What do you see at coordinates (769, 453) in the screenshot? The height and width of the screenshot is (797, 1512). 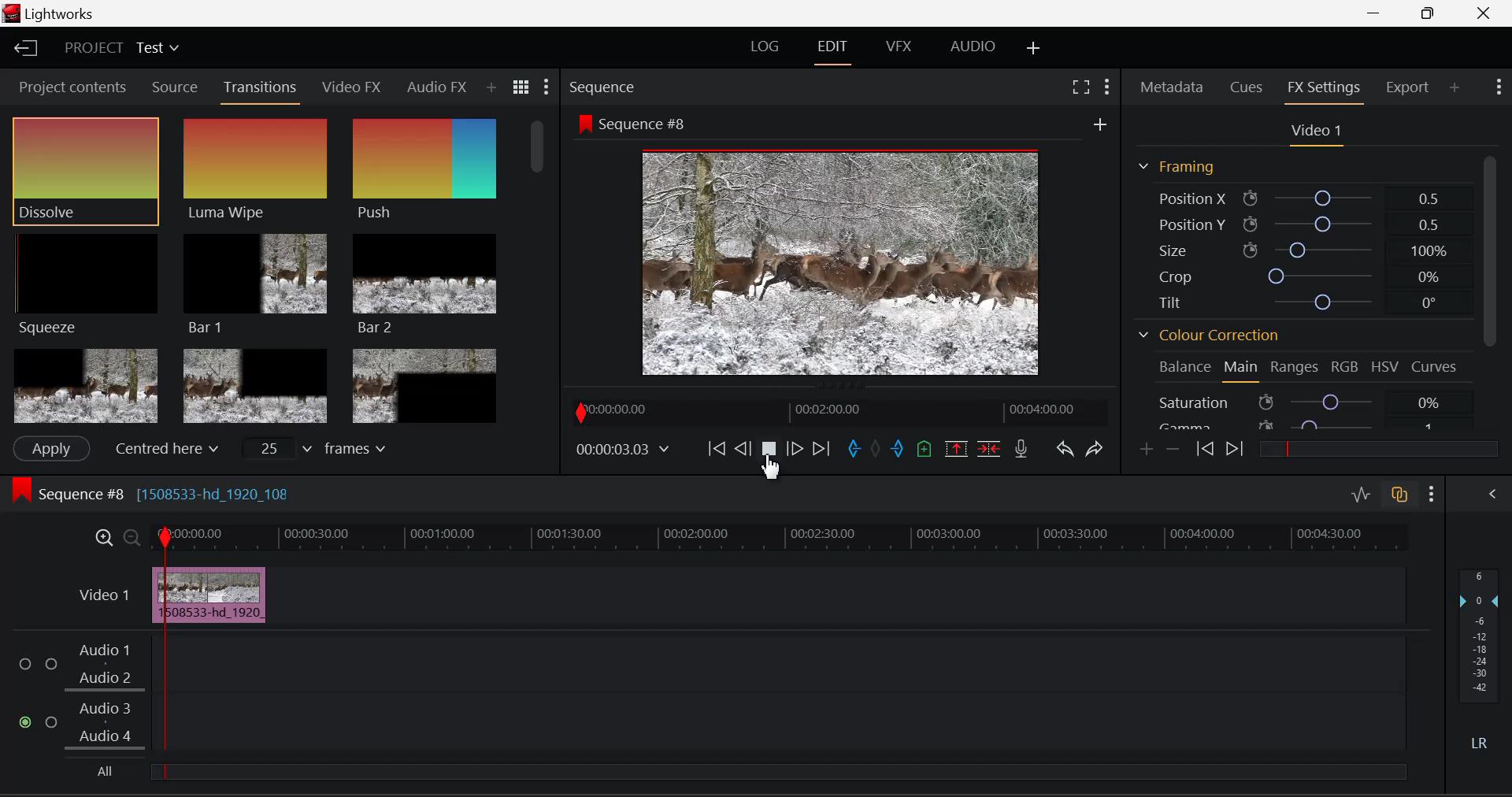 I see `Cursor on Play` at bounding box center [769, 453].